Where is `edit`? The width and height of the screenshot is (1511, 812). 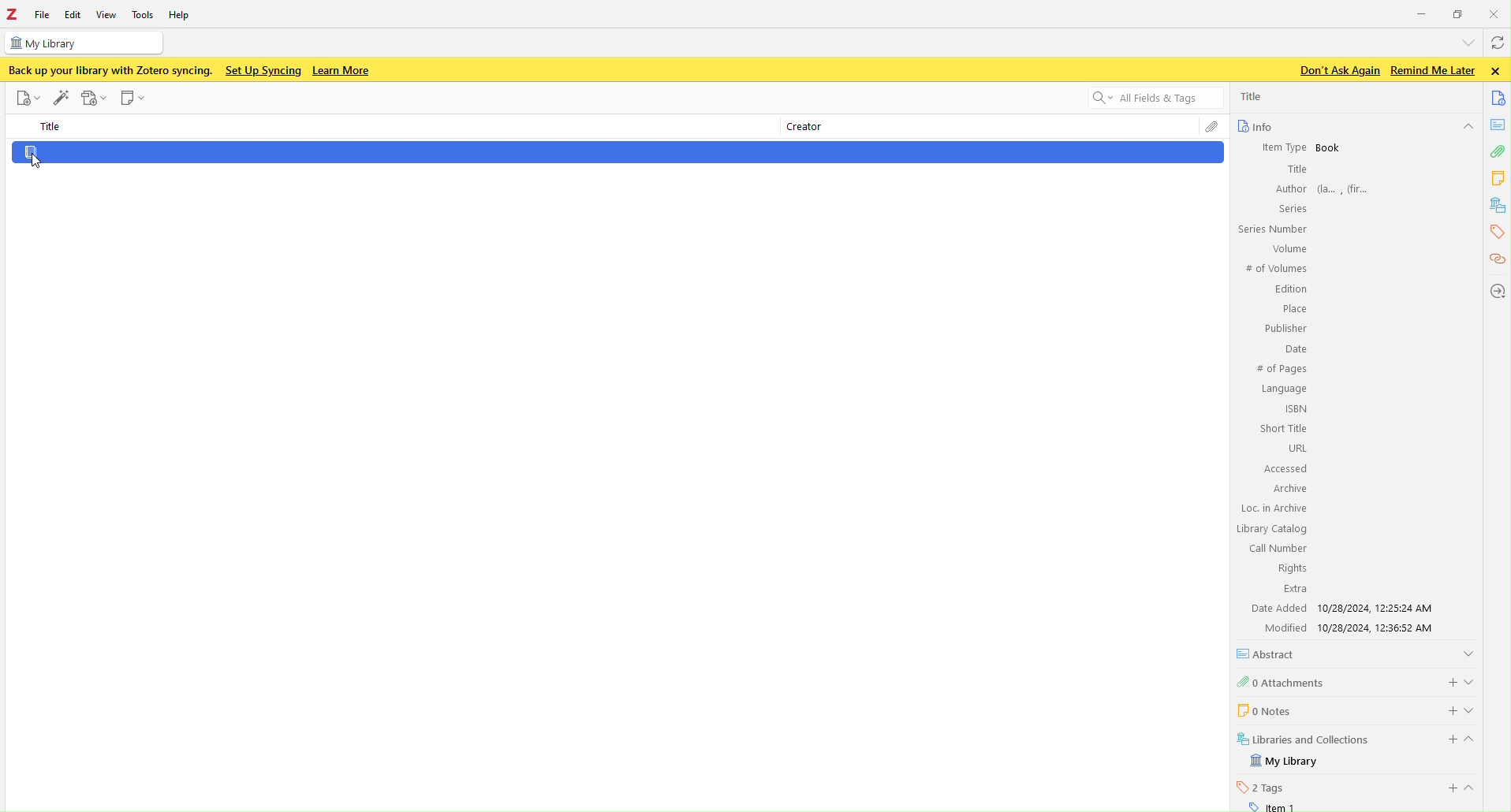 edit is located at coordinates (72, 14).